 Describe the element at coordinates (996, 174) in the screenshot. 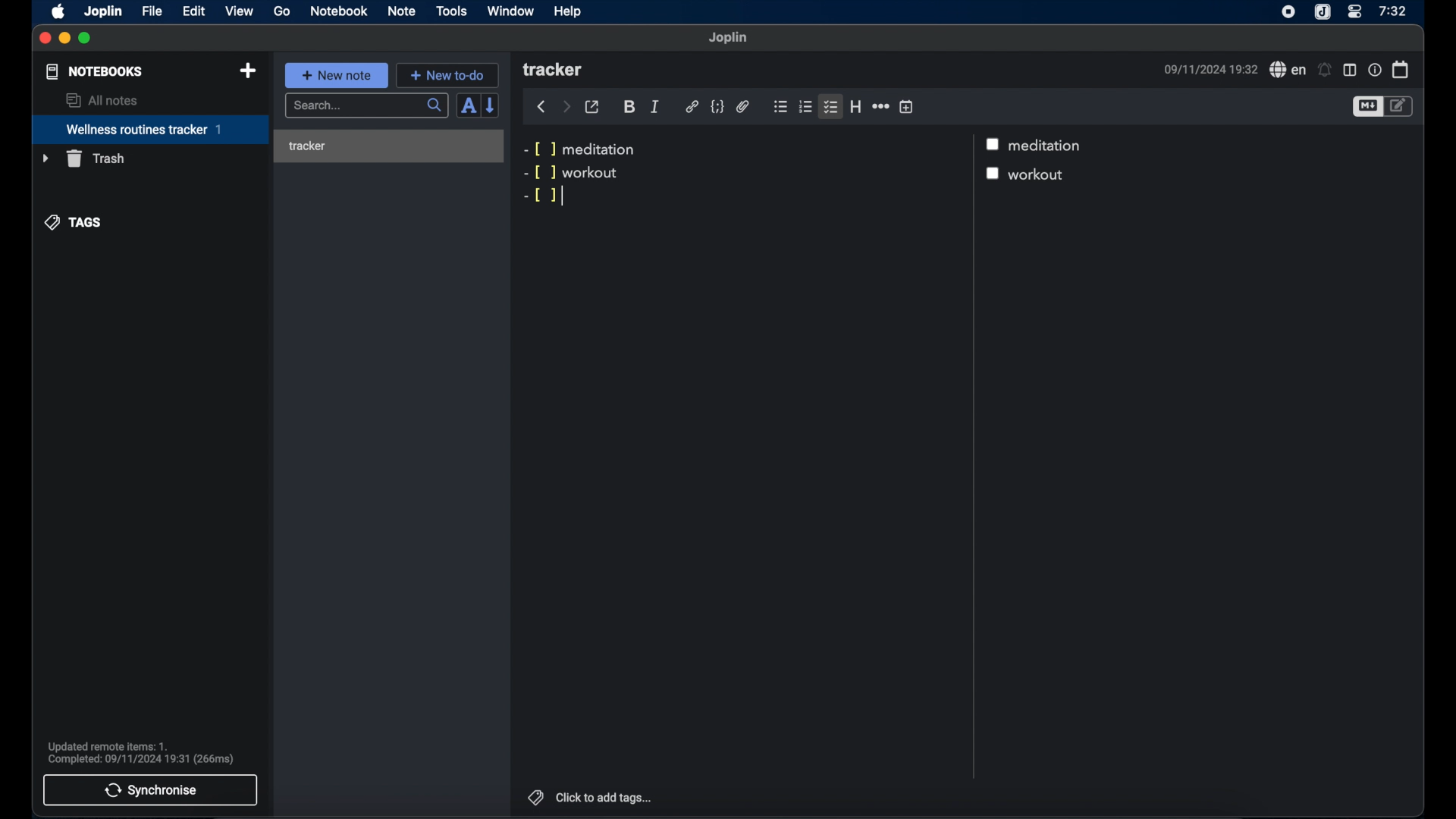

I see `checkbox` at that location.